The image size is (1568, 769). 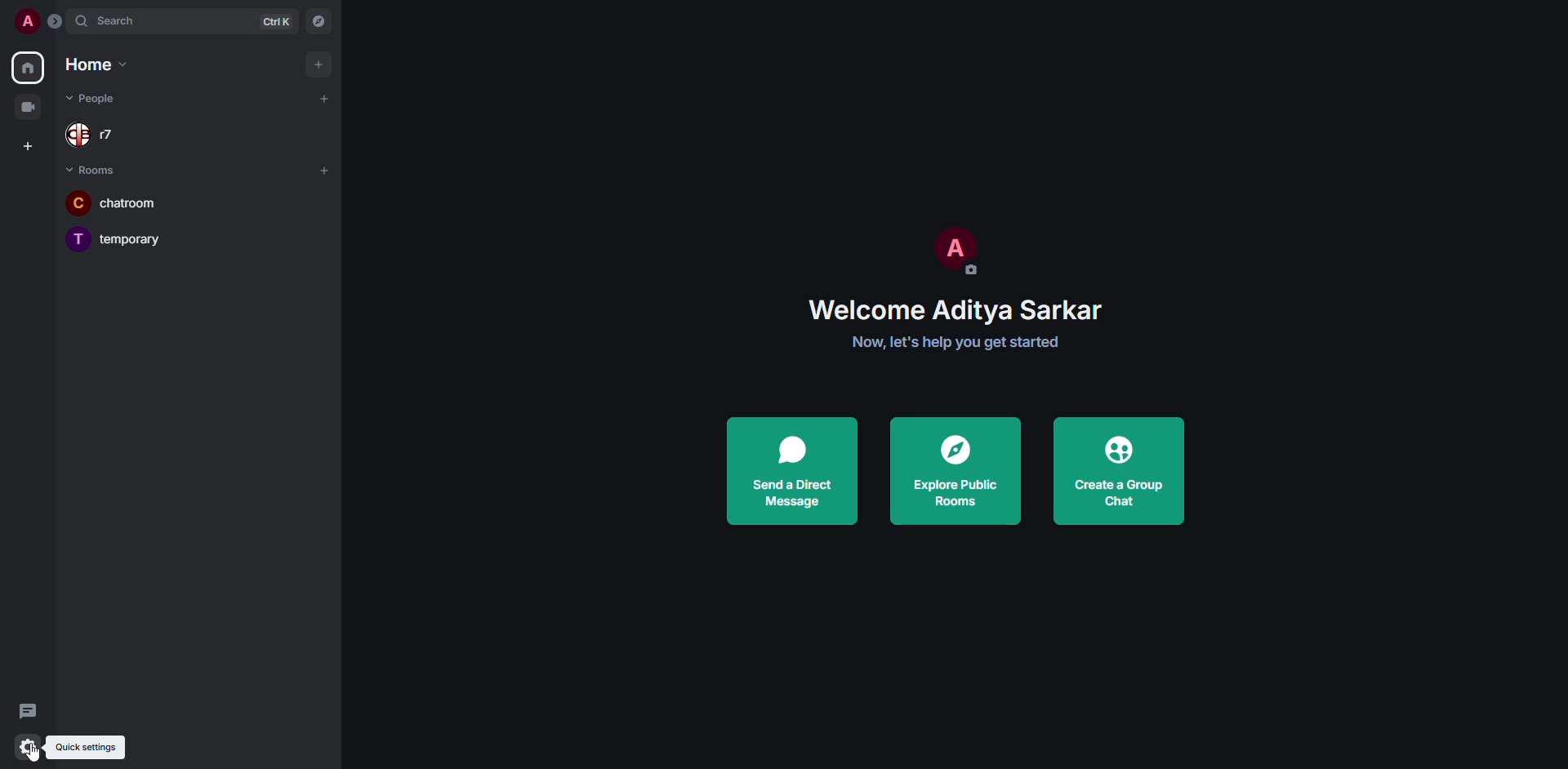 What do you see at coordinates (791, 472) in the screenshot?
I see `send a direct message` at bounding box center [791, 472].